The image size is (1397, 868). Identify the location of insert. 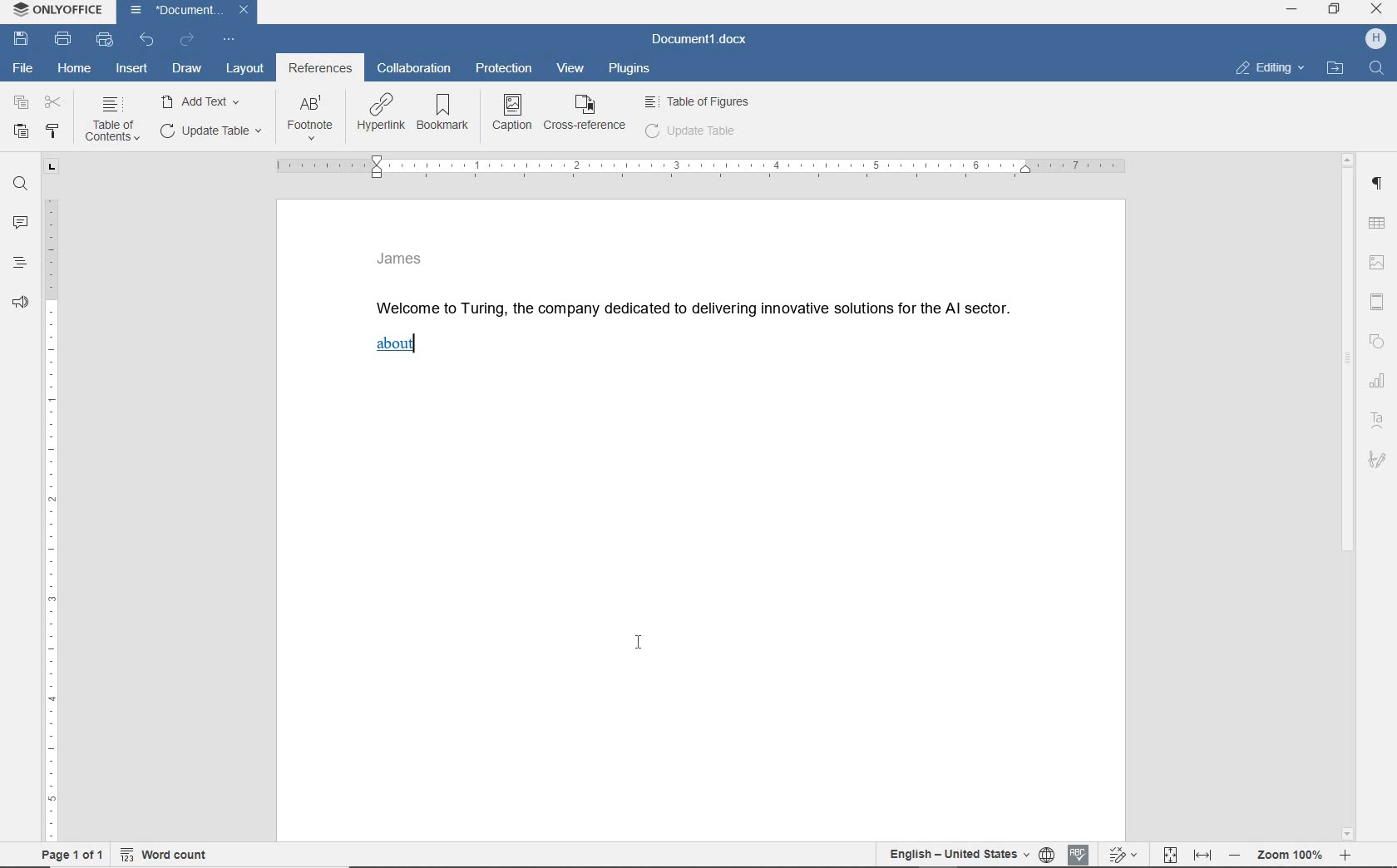
(132, 70).